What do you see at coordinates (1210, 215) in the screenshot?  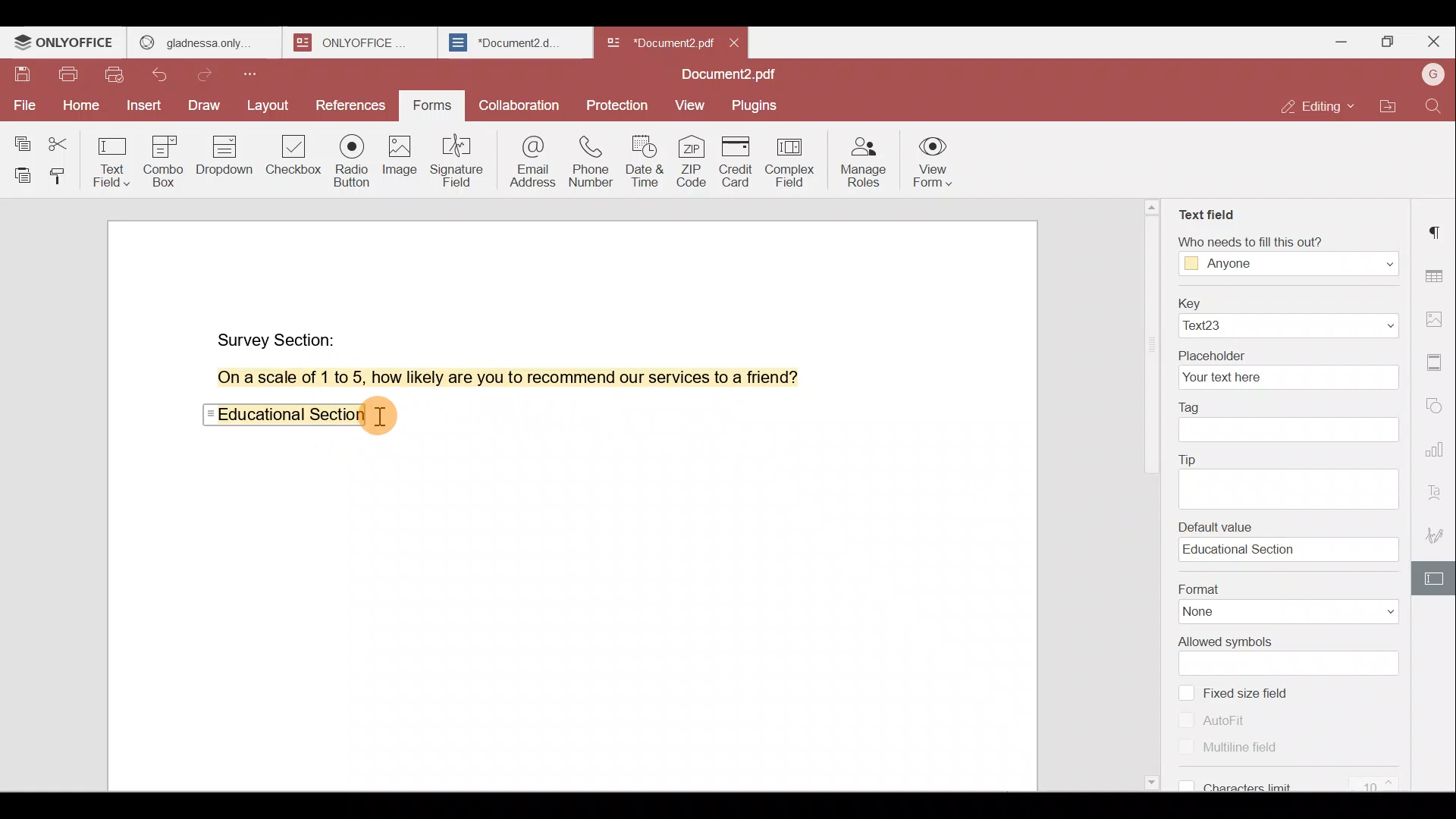 I see `Text field` at bounding box center [1210, 215].